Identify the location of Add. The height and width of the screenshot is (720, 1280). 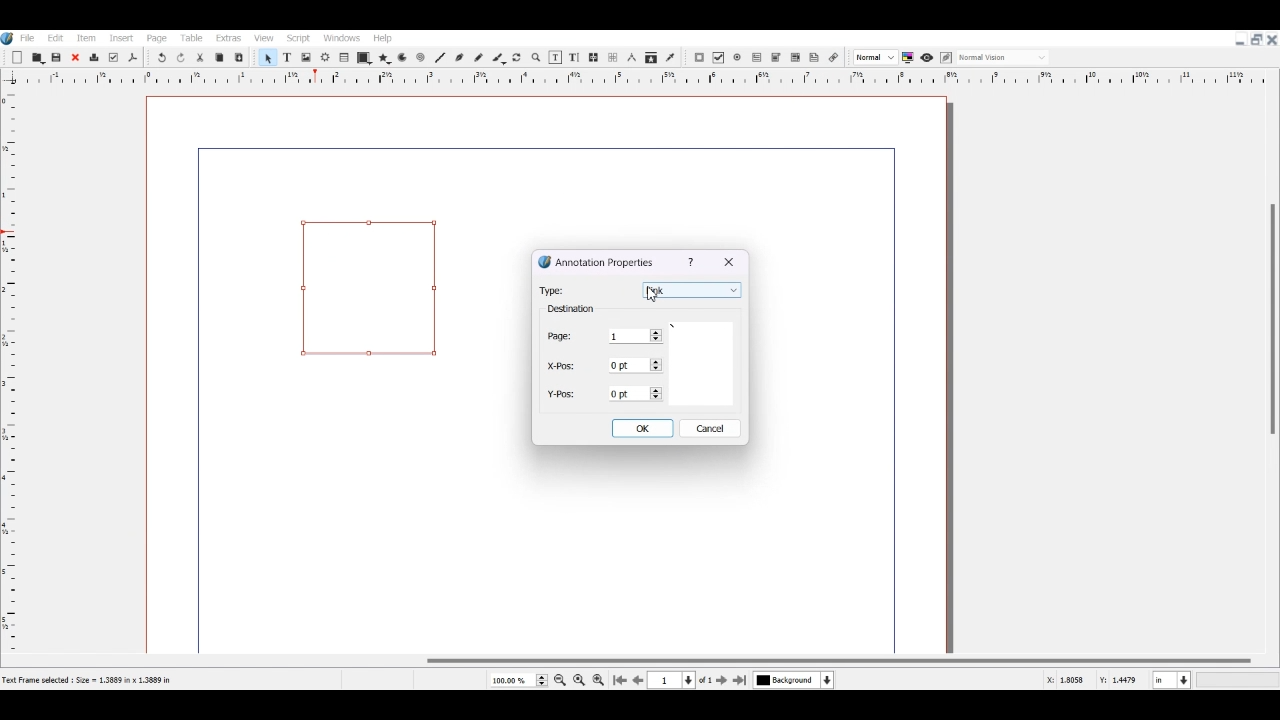
(17, 58).